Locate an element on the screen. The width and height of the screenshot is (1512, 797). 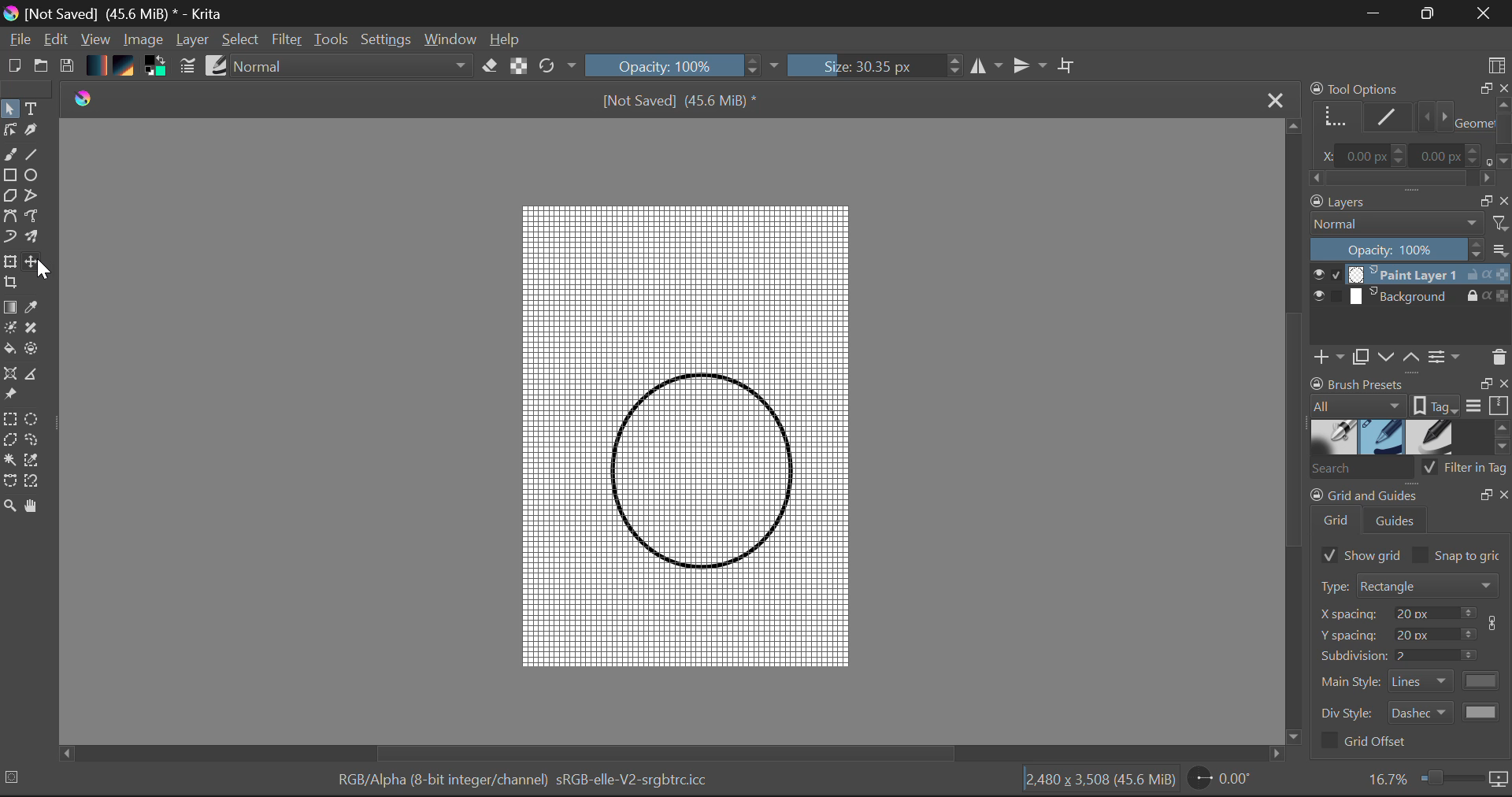
Similar Color Selector is located at coordinates (35, 462).